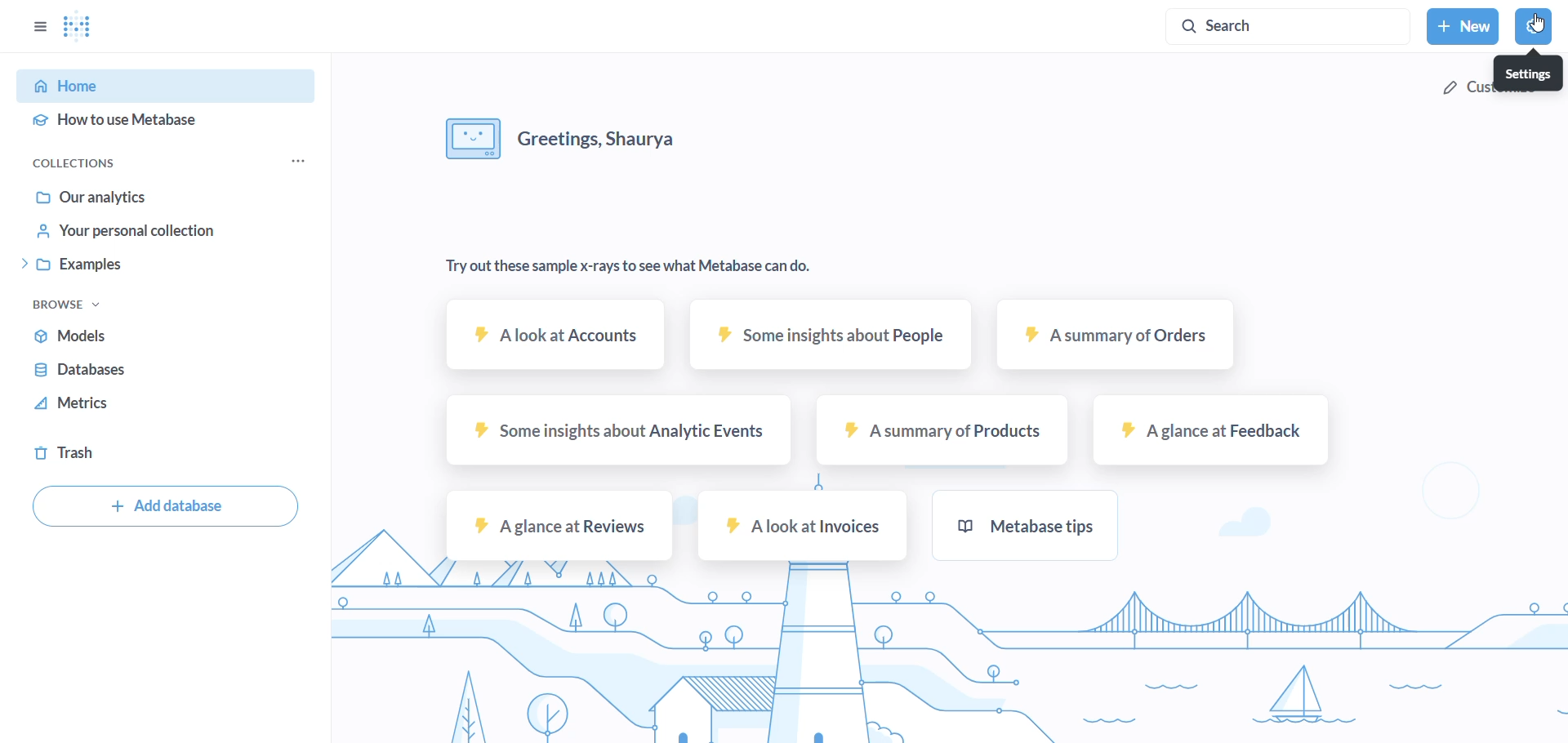 This screenshot has width=1568, height=743. I want to click on collections, so click(91, 162).